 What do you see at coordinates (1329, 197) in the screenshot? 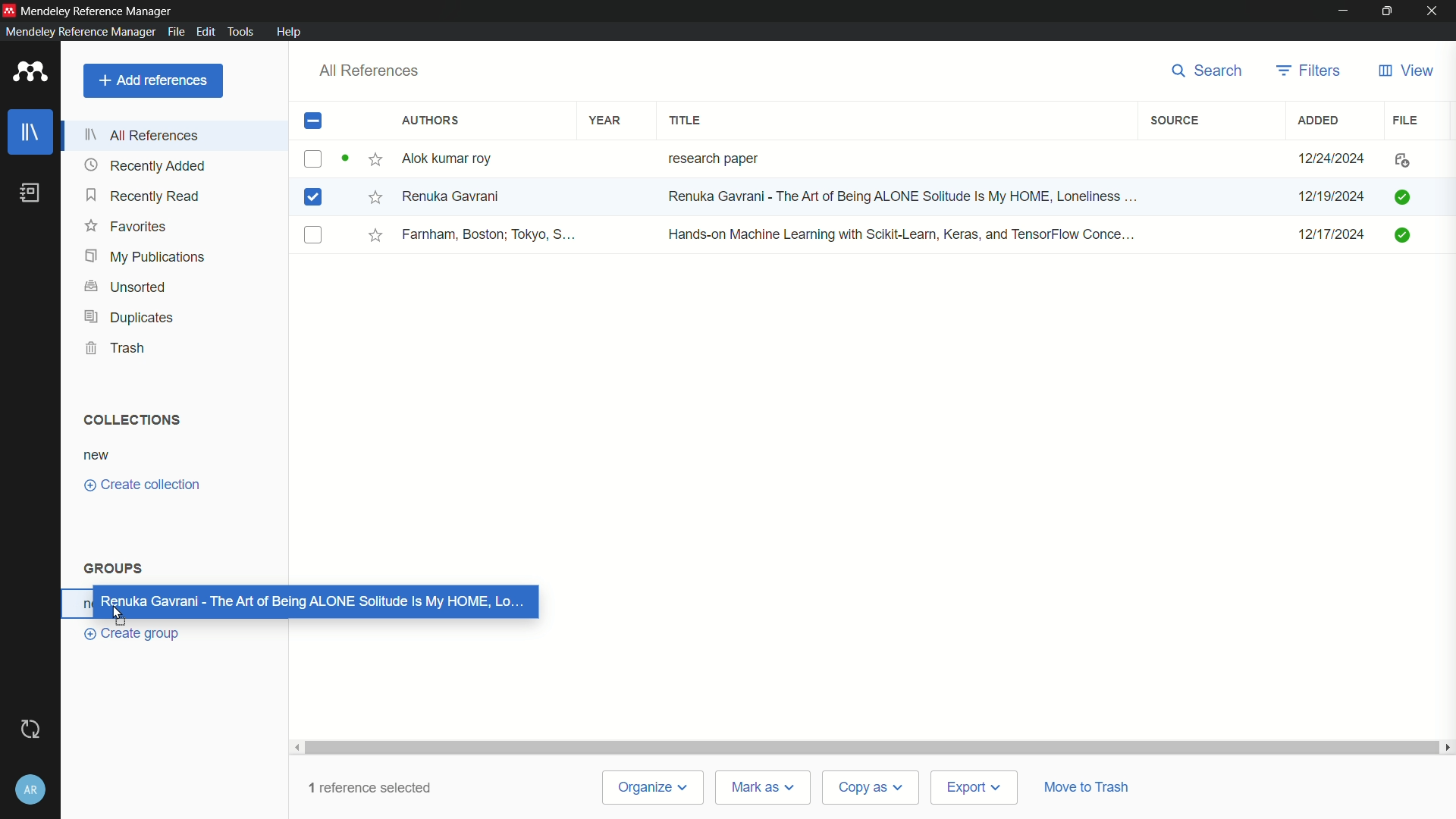
I see `Date` at bounding box center [1329, 197].